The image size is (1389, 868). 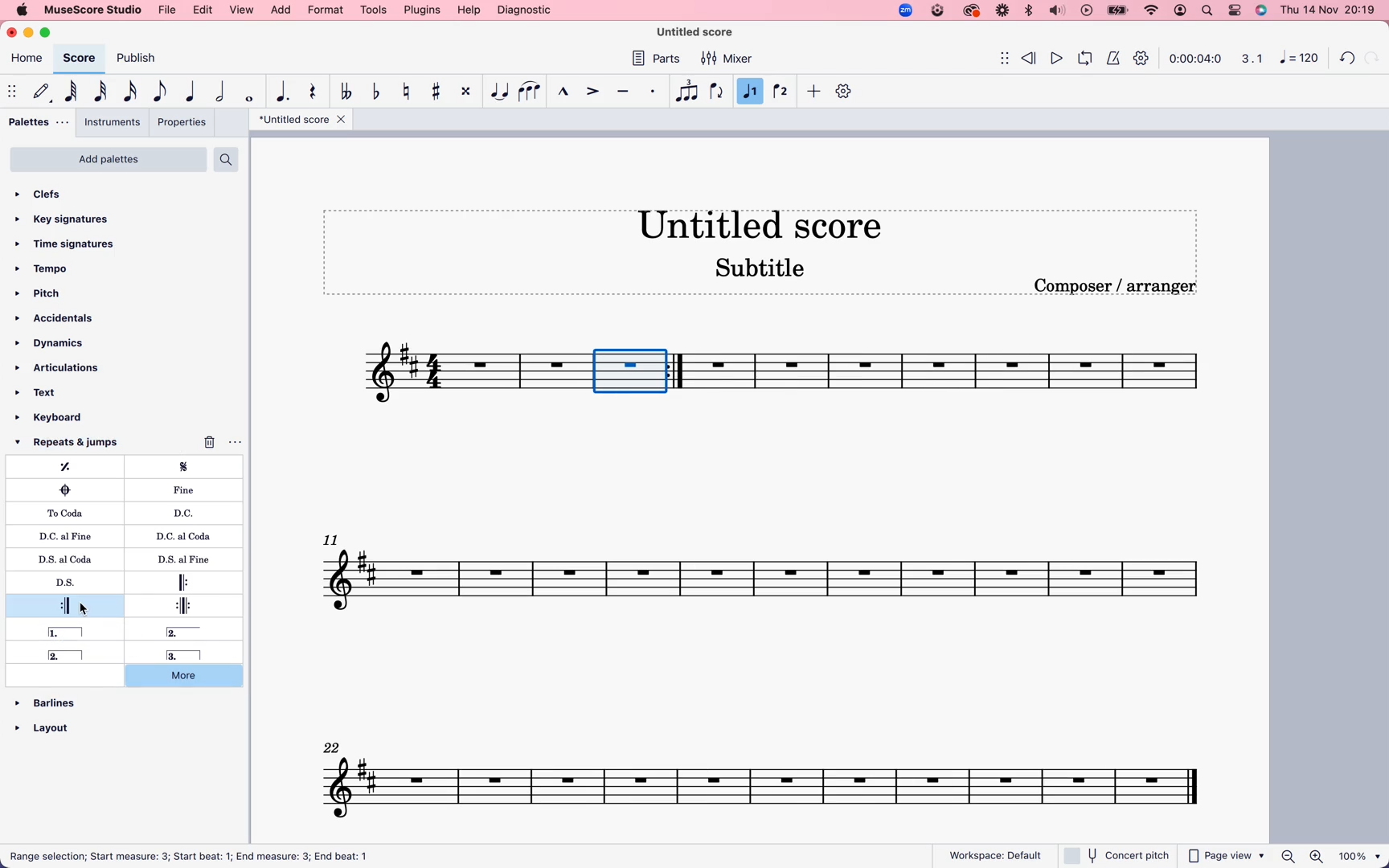 I want to click on fine, so click(x=189, y=490).